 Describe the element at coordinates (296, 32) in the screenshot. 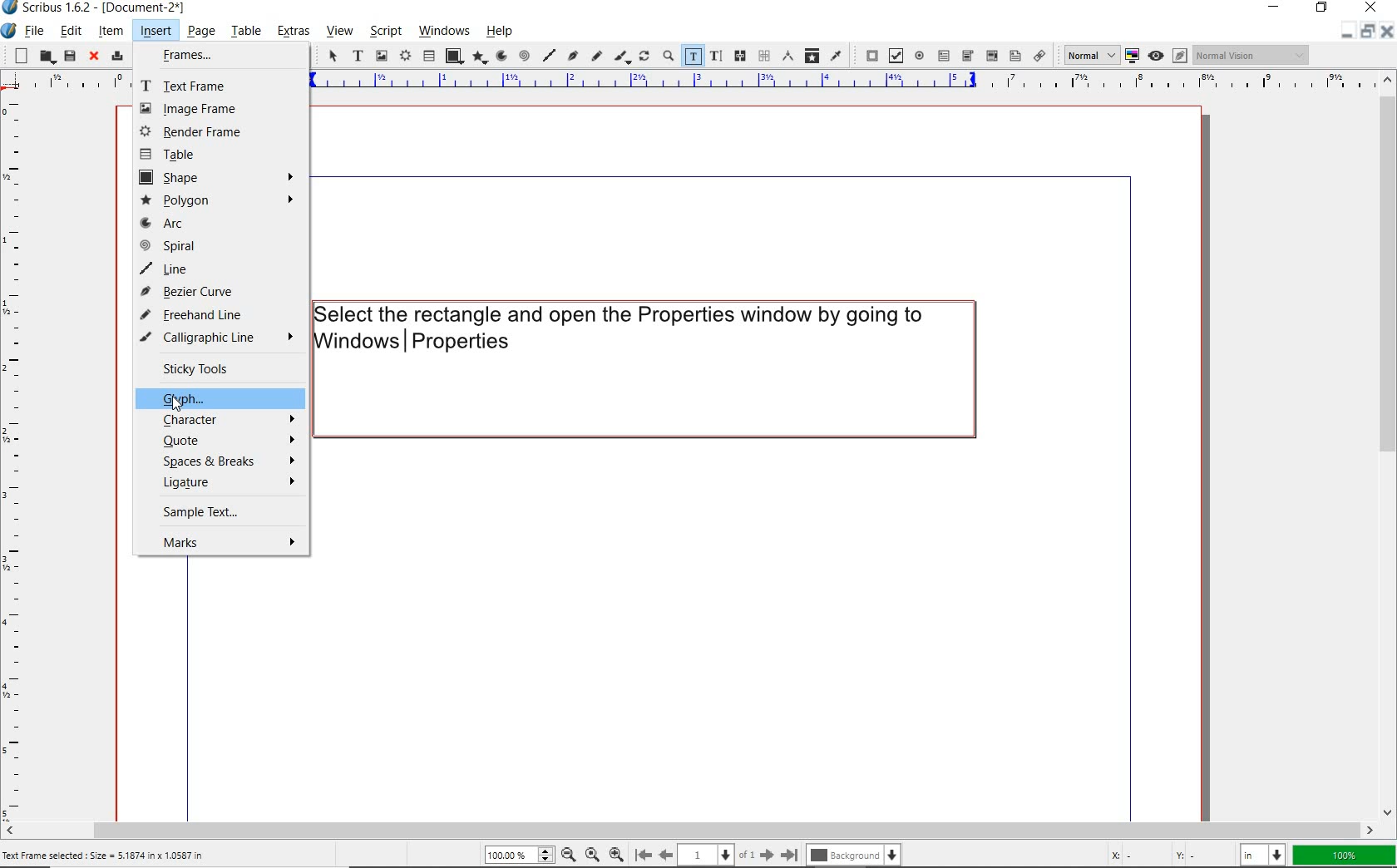

I see `extras` at that location.